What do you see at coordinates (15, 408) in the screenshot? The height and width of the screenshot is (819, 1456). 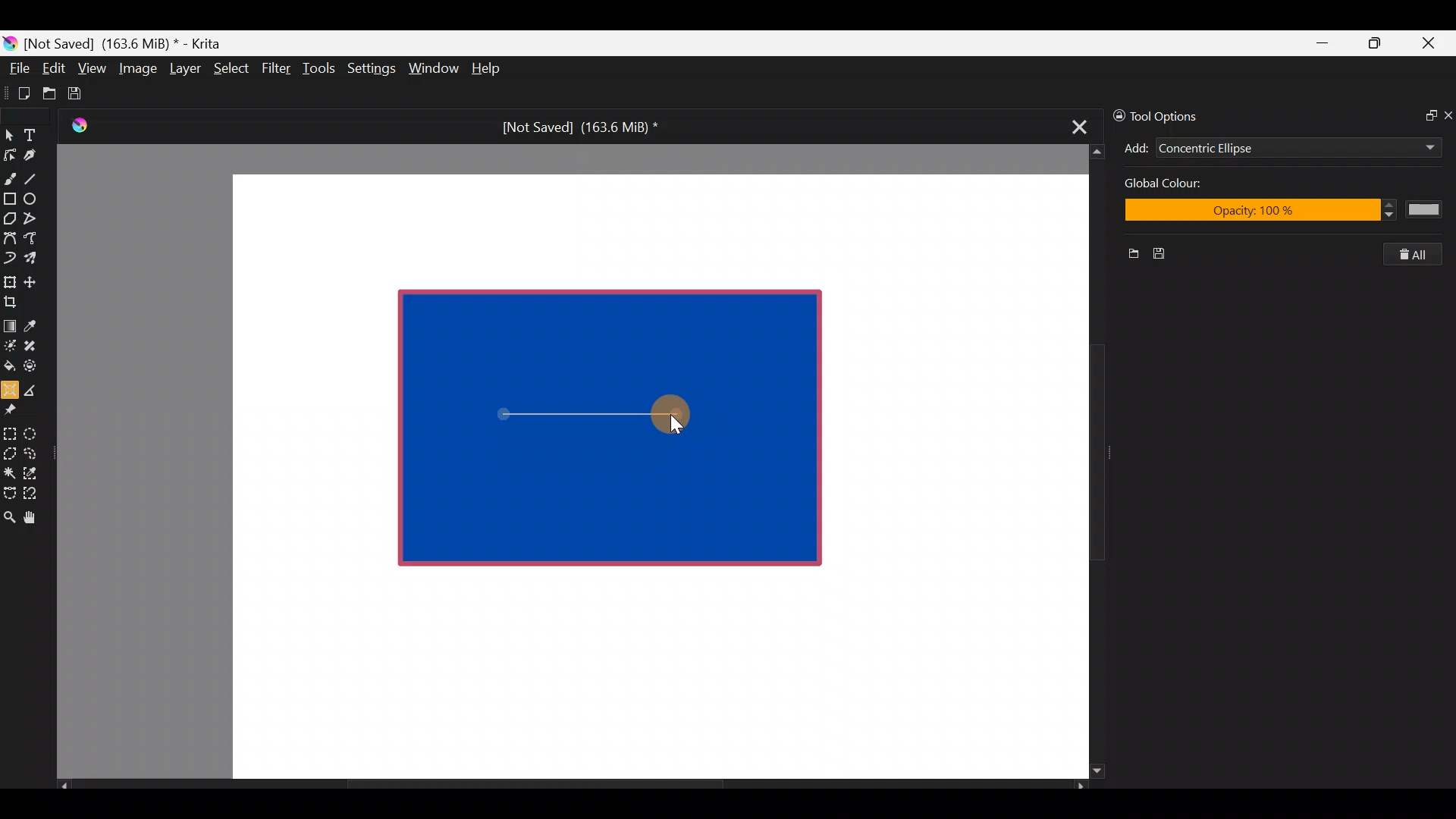 I see `Reference images tool` at bounding box center [15, 408].